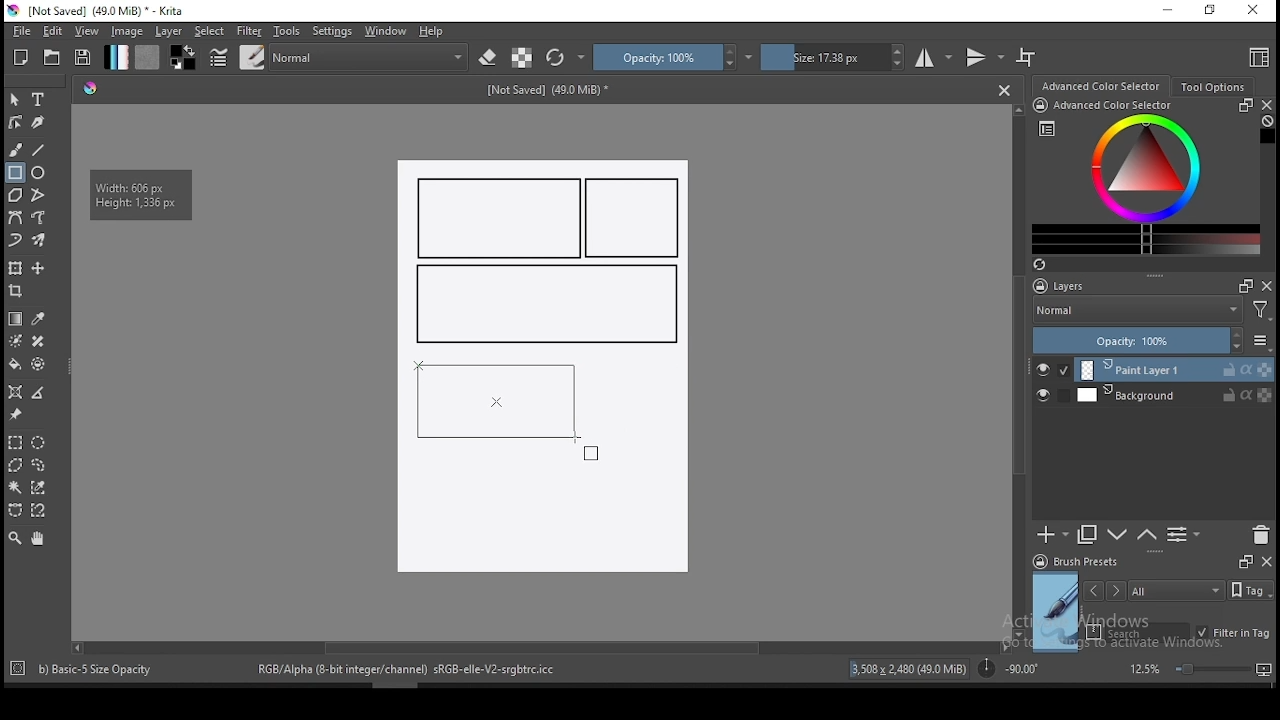 This screenshot has height=720, width=1280. Describe the element at coordinates (116, 57) in the screenshot. I see `gradient fill` at that location.